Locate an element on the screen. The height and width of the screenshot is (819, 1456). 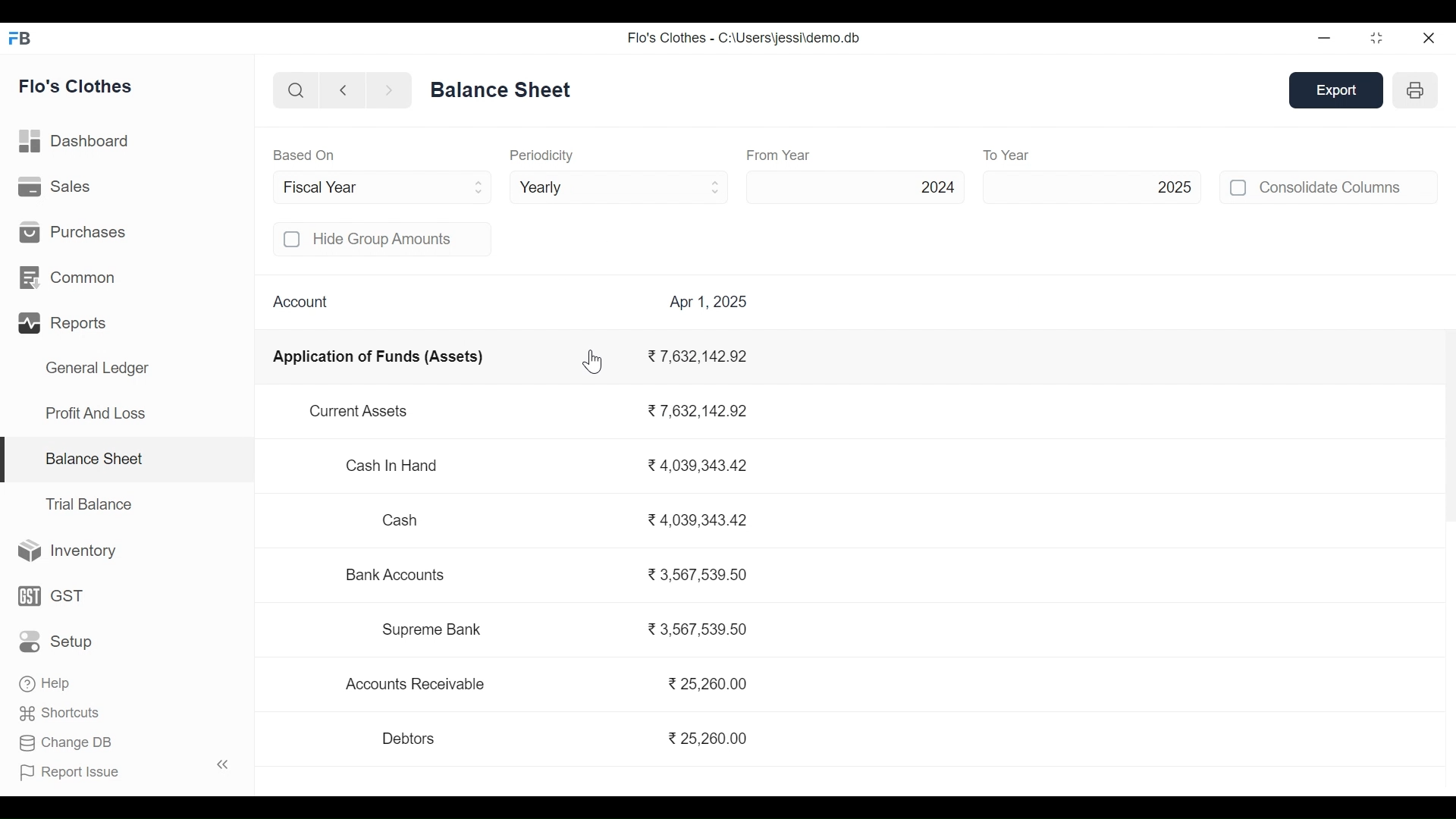
dashboard is located at coordinates (77, 144).